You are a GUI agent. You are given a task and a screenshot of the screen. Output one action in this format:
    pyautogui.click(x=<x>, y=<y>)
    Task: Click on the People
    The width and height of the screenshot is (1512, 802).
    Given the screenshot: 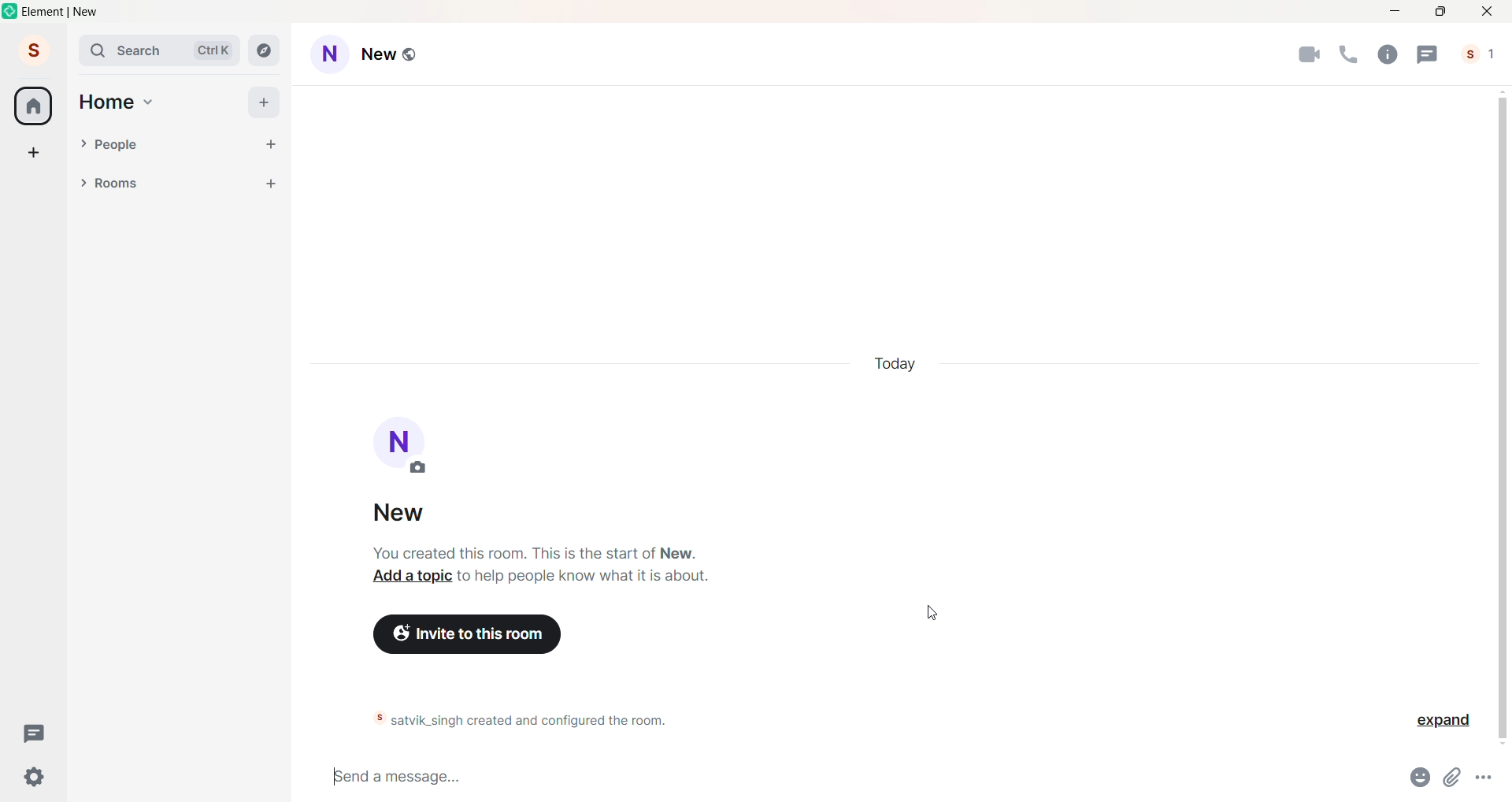 What is the action you would take?
    pyautogui.click(x=172, y=145)
    